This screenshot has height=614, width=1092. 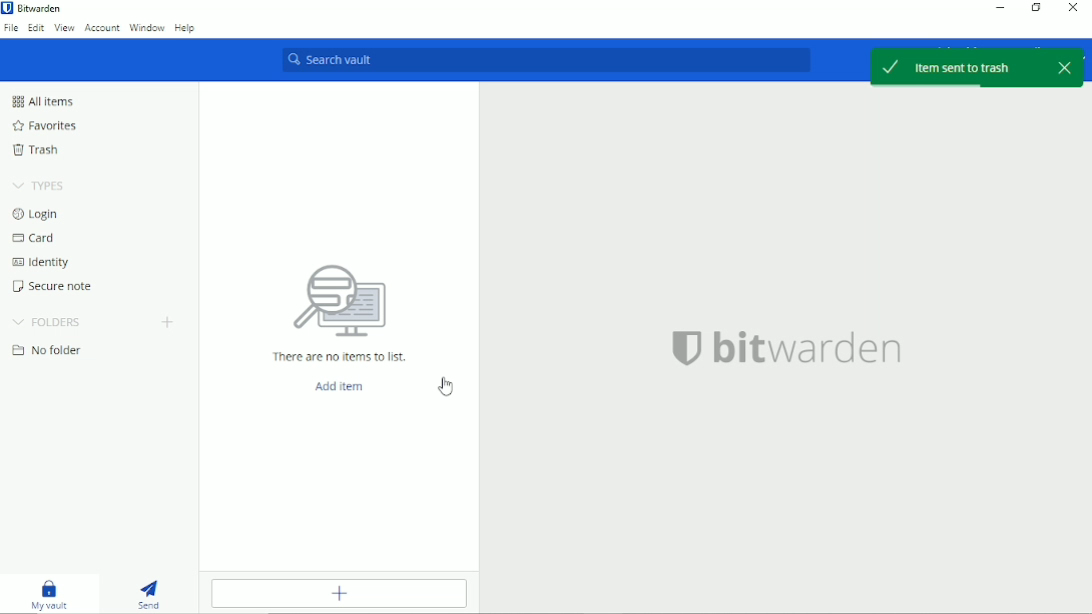 I want to click on Login, so click(x=39, y=214).